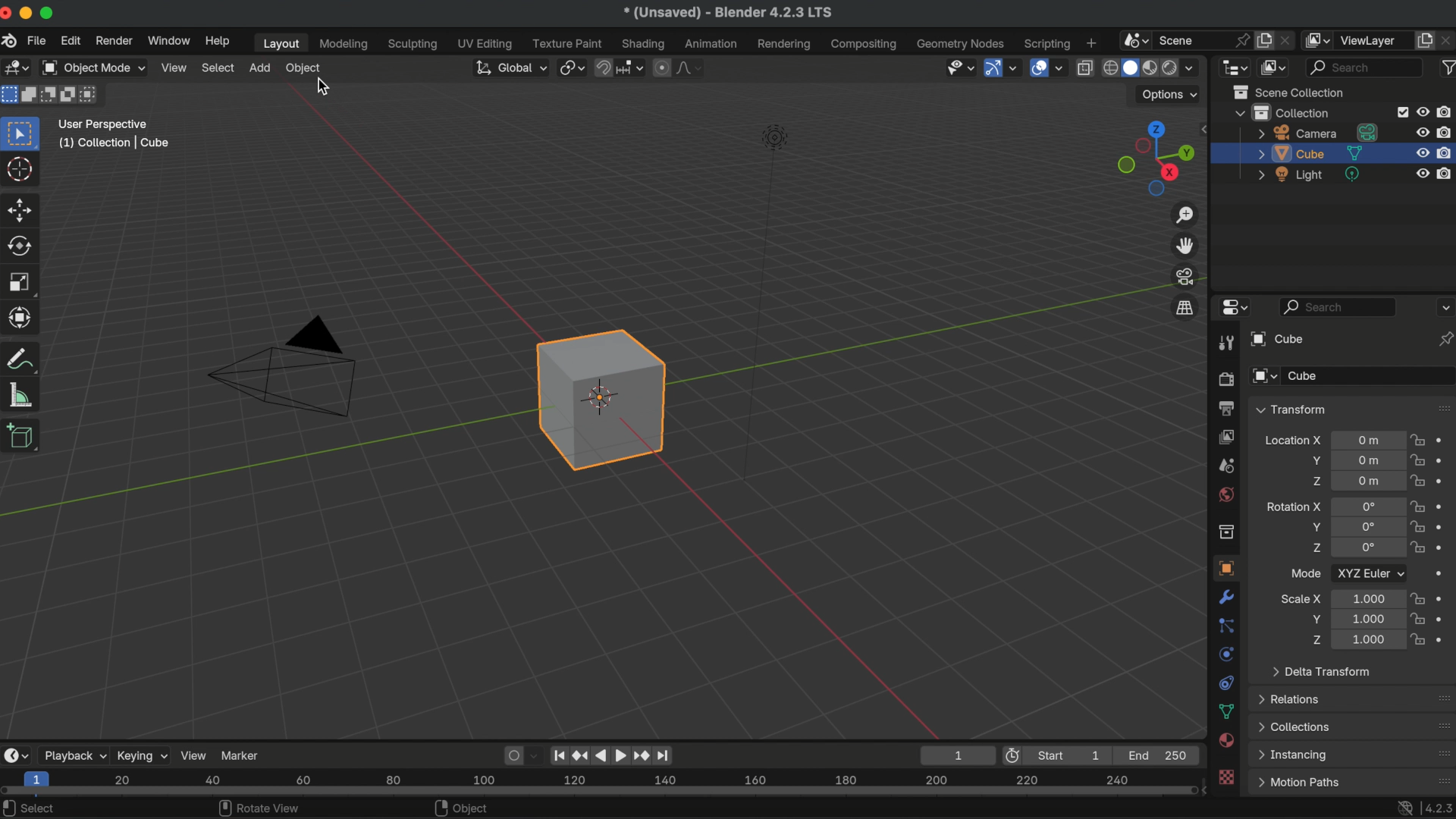  What do you see at coordinates (1301, 598) in the screenshot?
I see `scale X` at bounding box center [1301, 598].